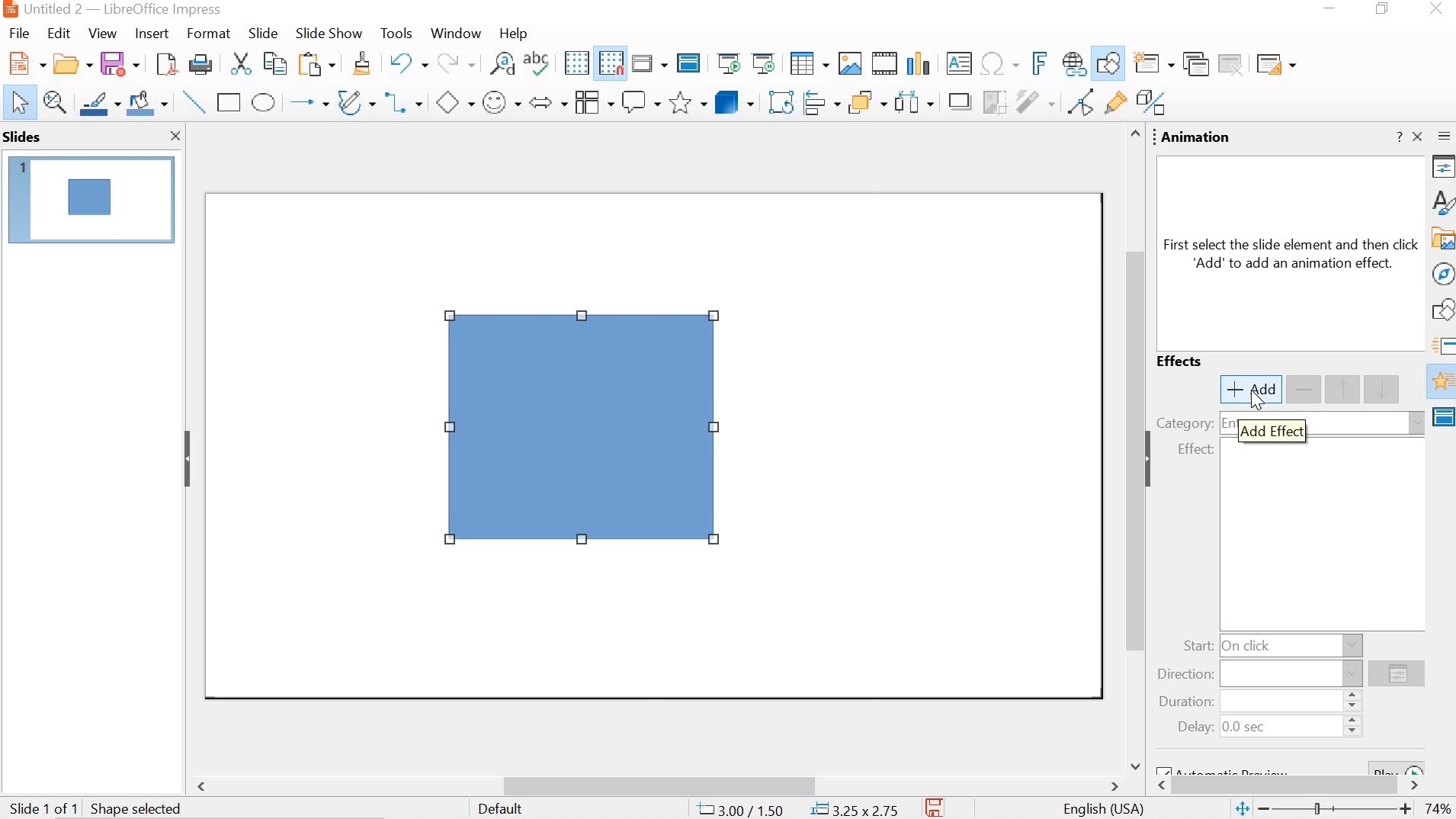 This screenshot has width=1456, height=819. Describe the element at coordinates (1099, 808) in the screenshot. I see `English(USA)` at that location.